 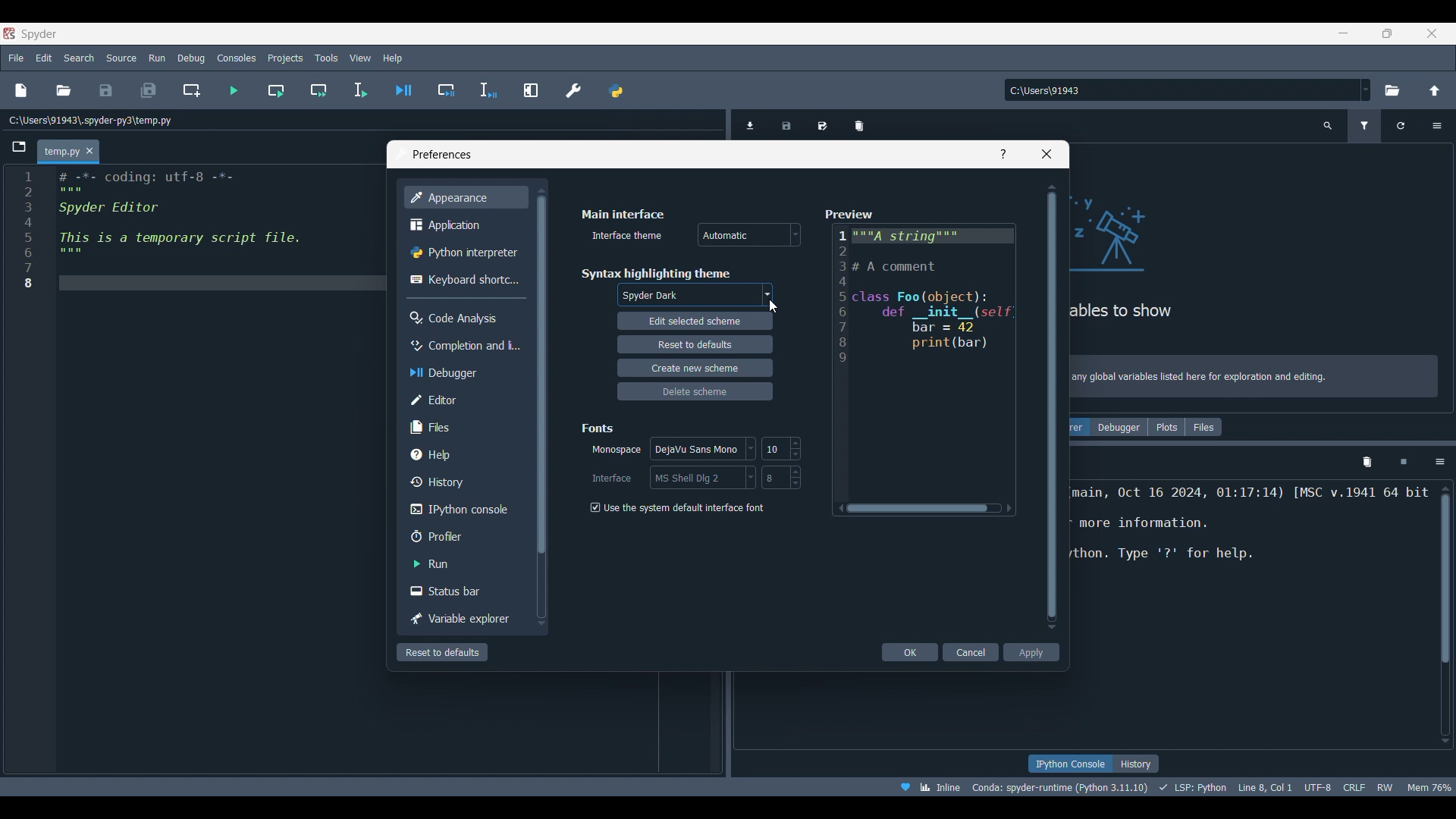 What do you see at coordinates (466, 252) in the screenshot?
I see `Python interpreter` at bounding box center [466, 252].